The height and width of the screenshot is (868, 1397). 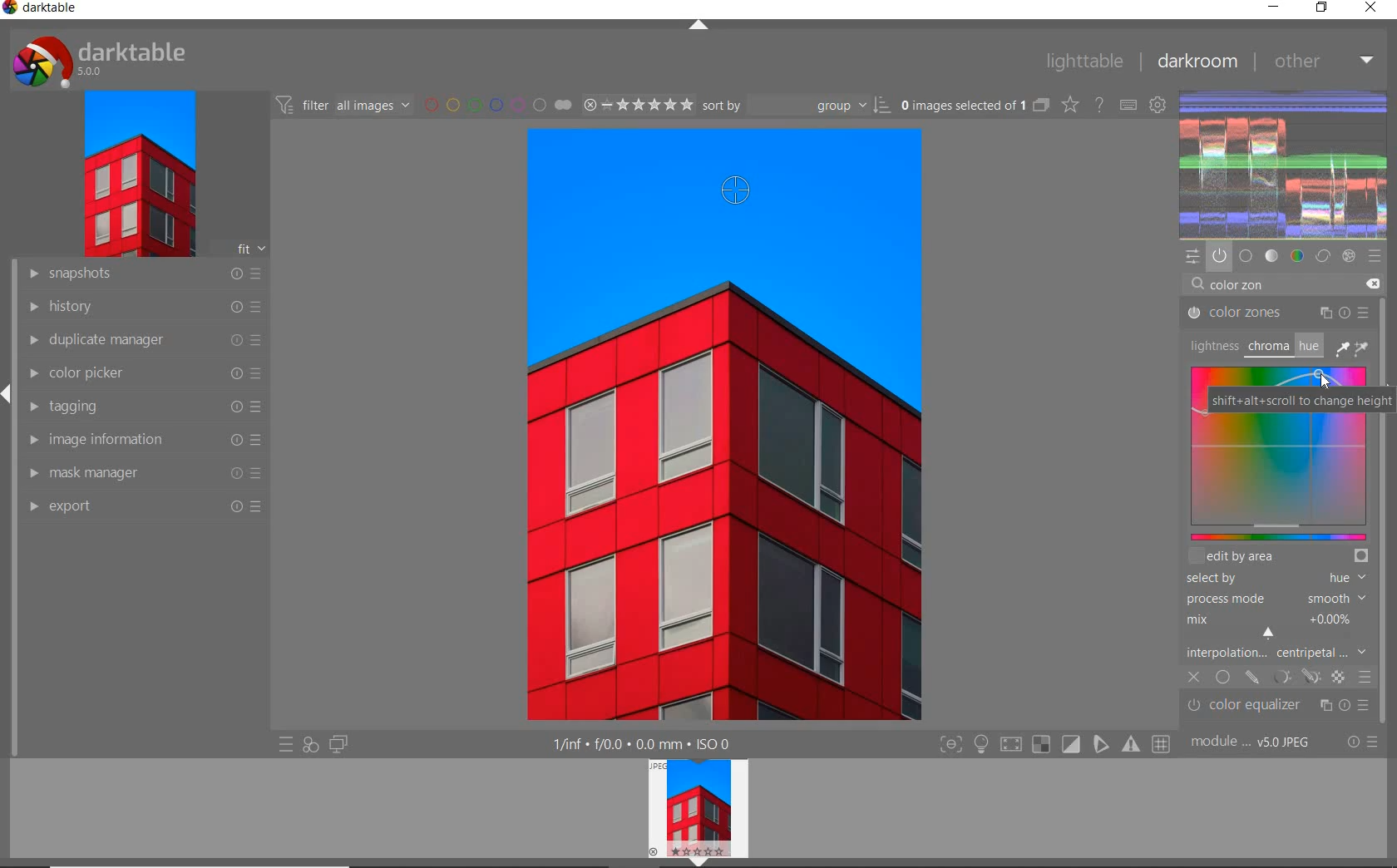 What do you see at coordinates (142, 472) in the screenshot?
I see `mask manager` at bounding box center [142, 472].